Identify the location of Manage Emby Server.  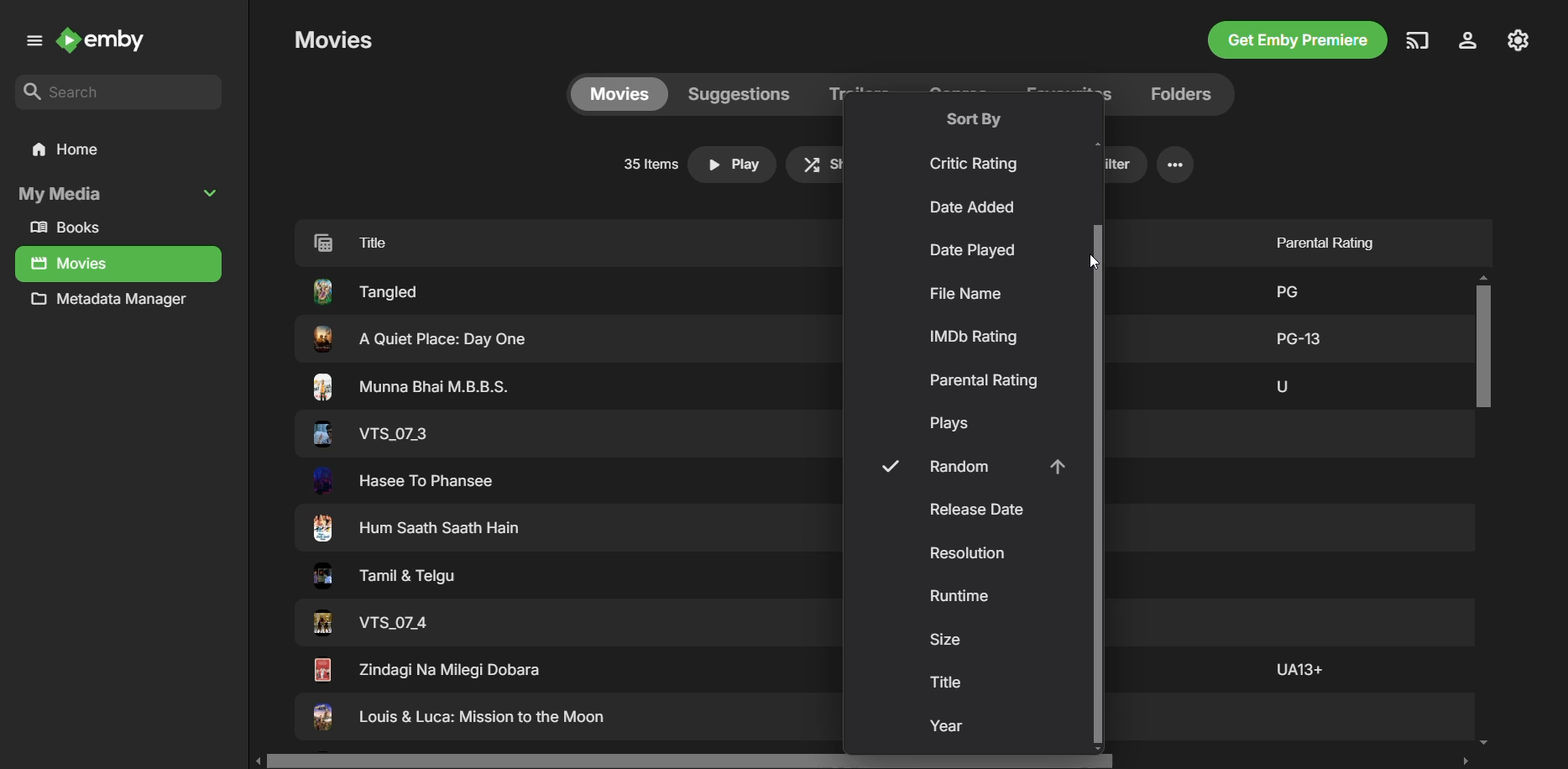
(1520, 39).